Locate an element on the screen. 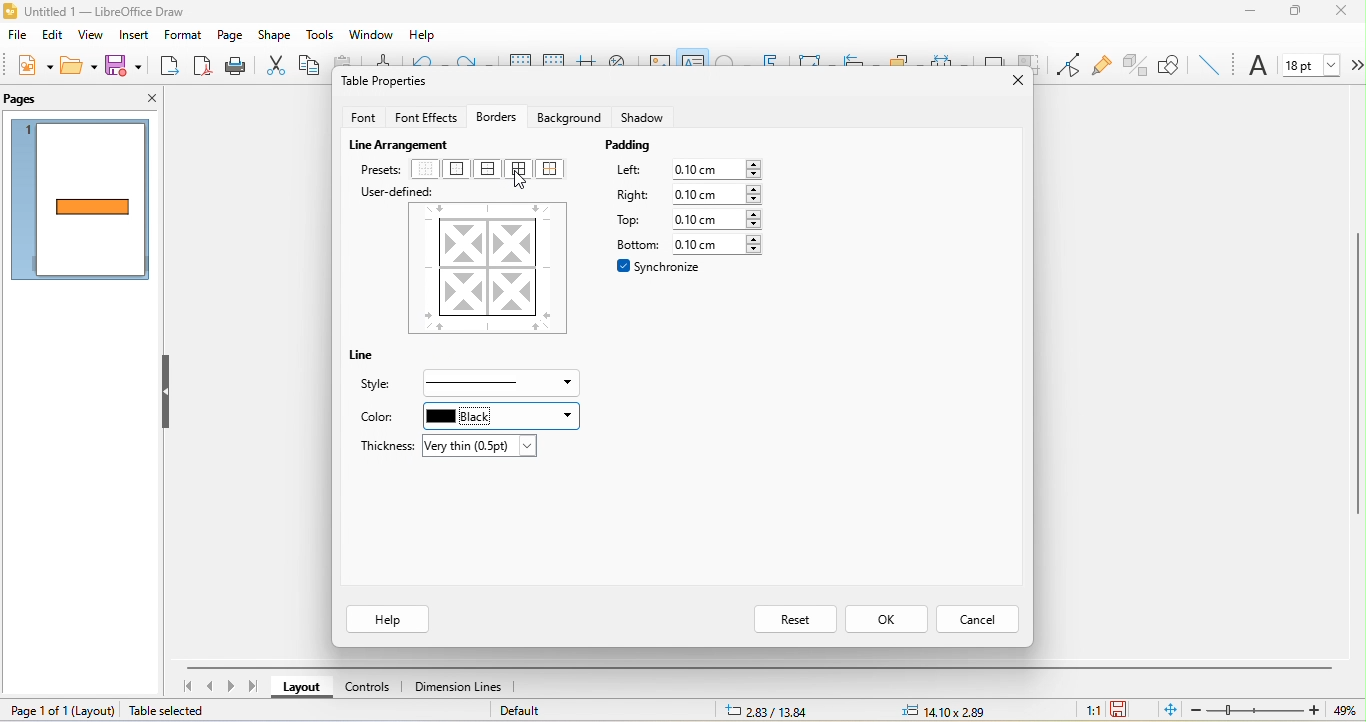 The height and width of the screenshot is (722, 1366). bottom is located at coordinates (631, 243).